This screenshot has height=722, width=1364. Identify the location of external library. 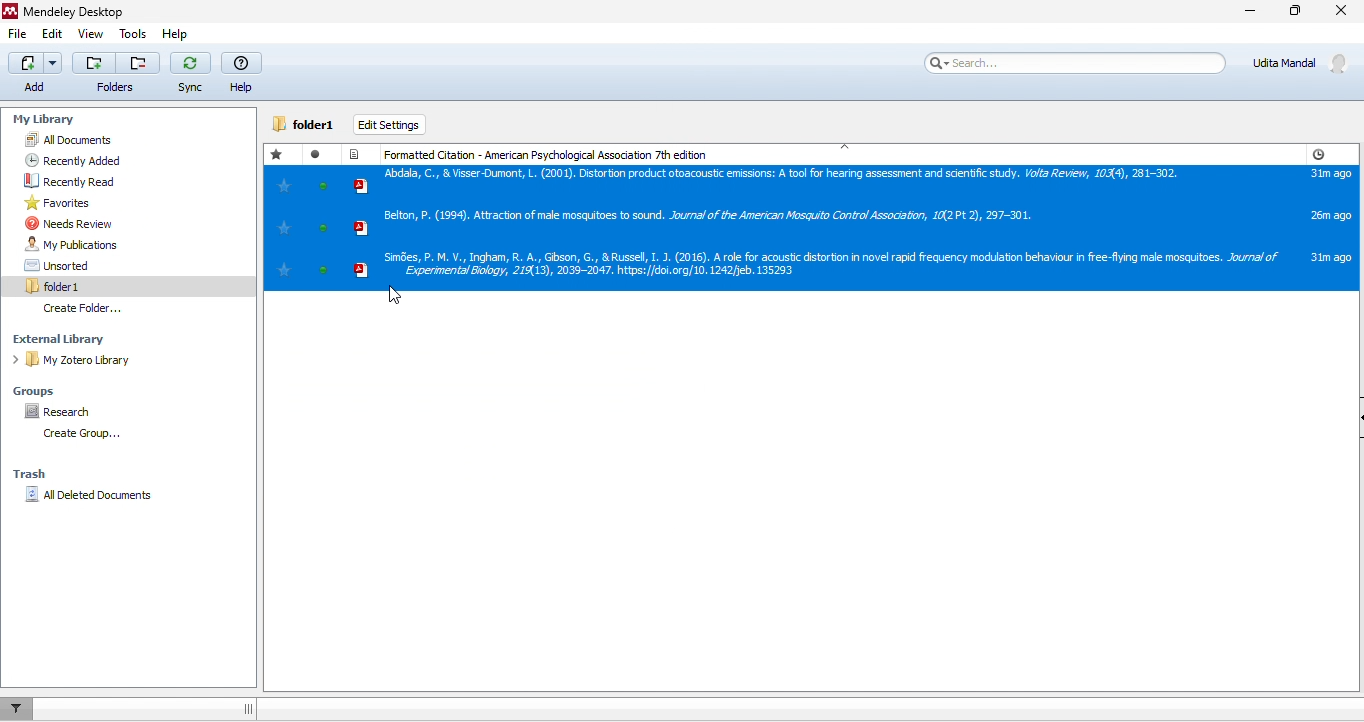
(89, 339).